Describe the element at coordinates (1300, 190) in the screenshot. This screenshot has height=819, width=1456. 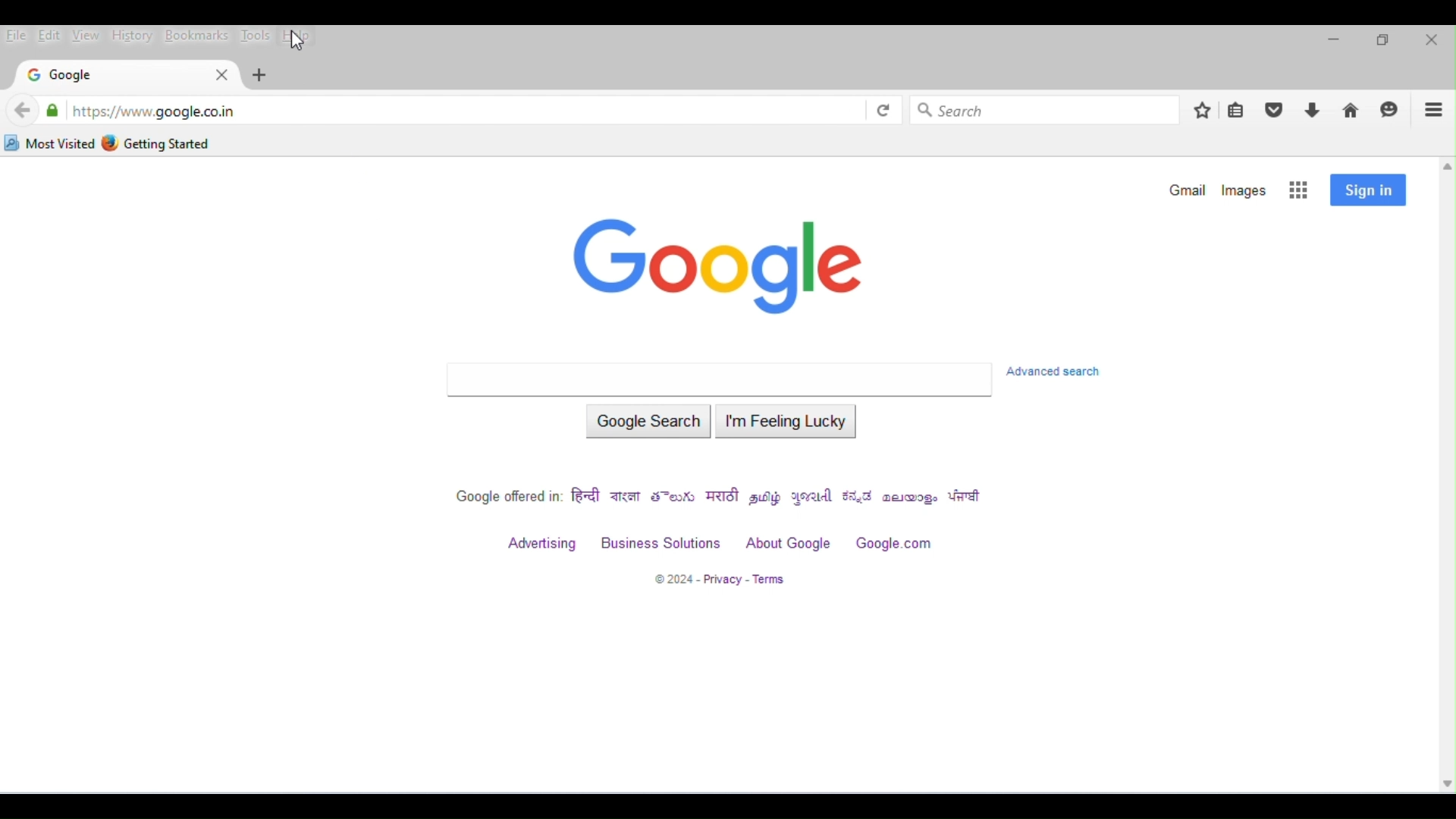
I see `google apps` at that location.